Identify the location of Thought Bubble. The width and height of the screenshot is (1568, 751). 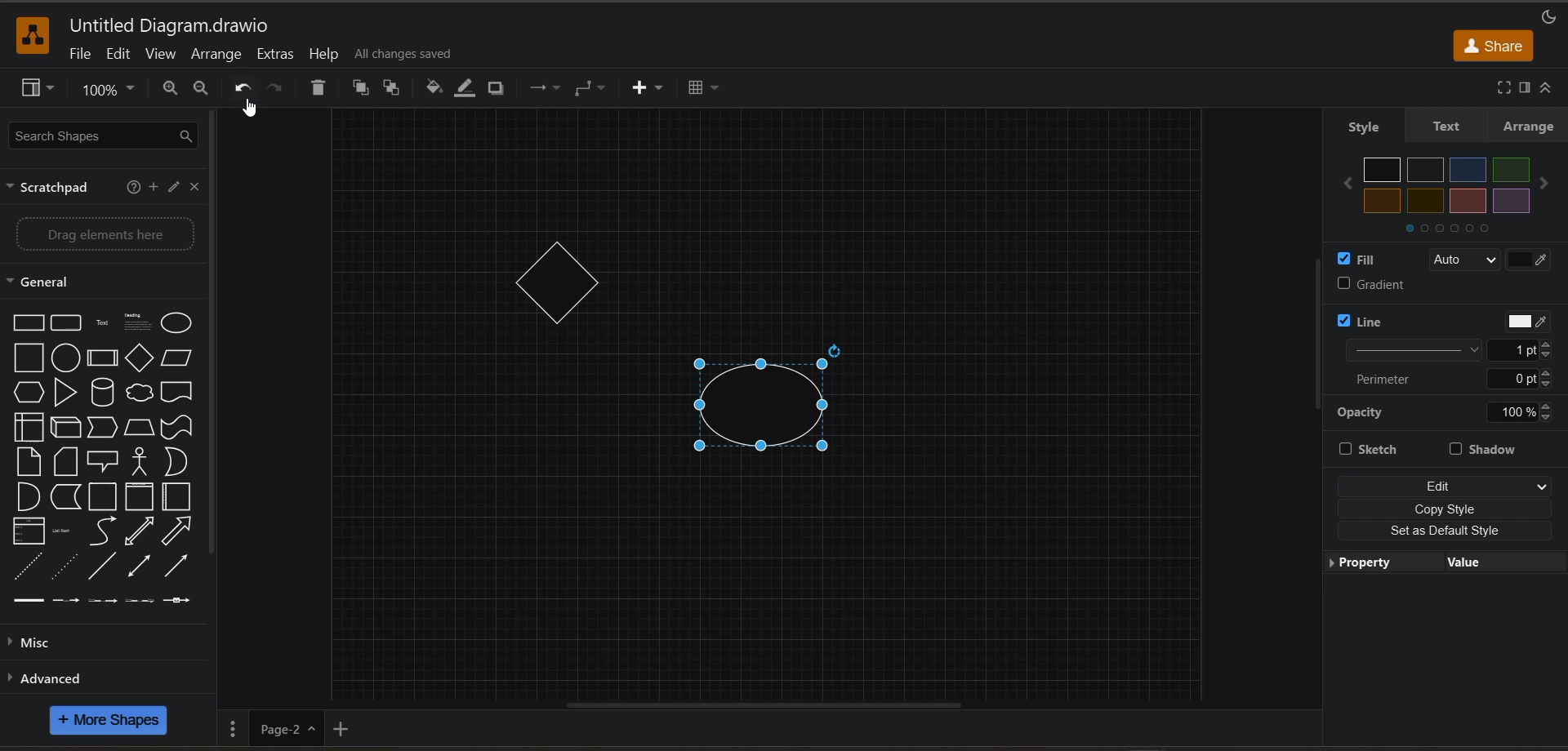
(139, 395).